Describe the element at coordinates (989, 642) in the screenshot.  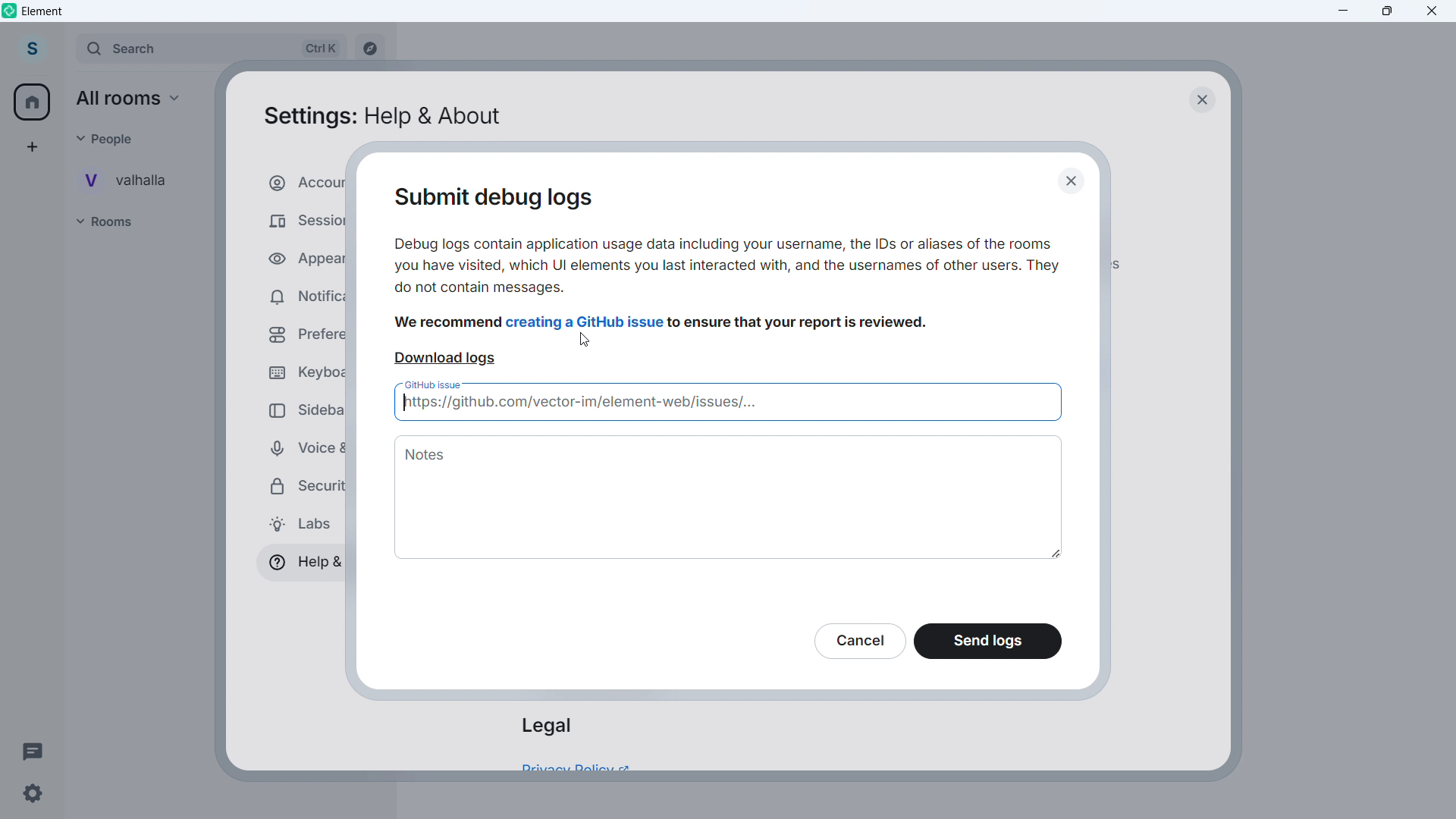
I see `Send logs` at that location.